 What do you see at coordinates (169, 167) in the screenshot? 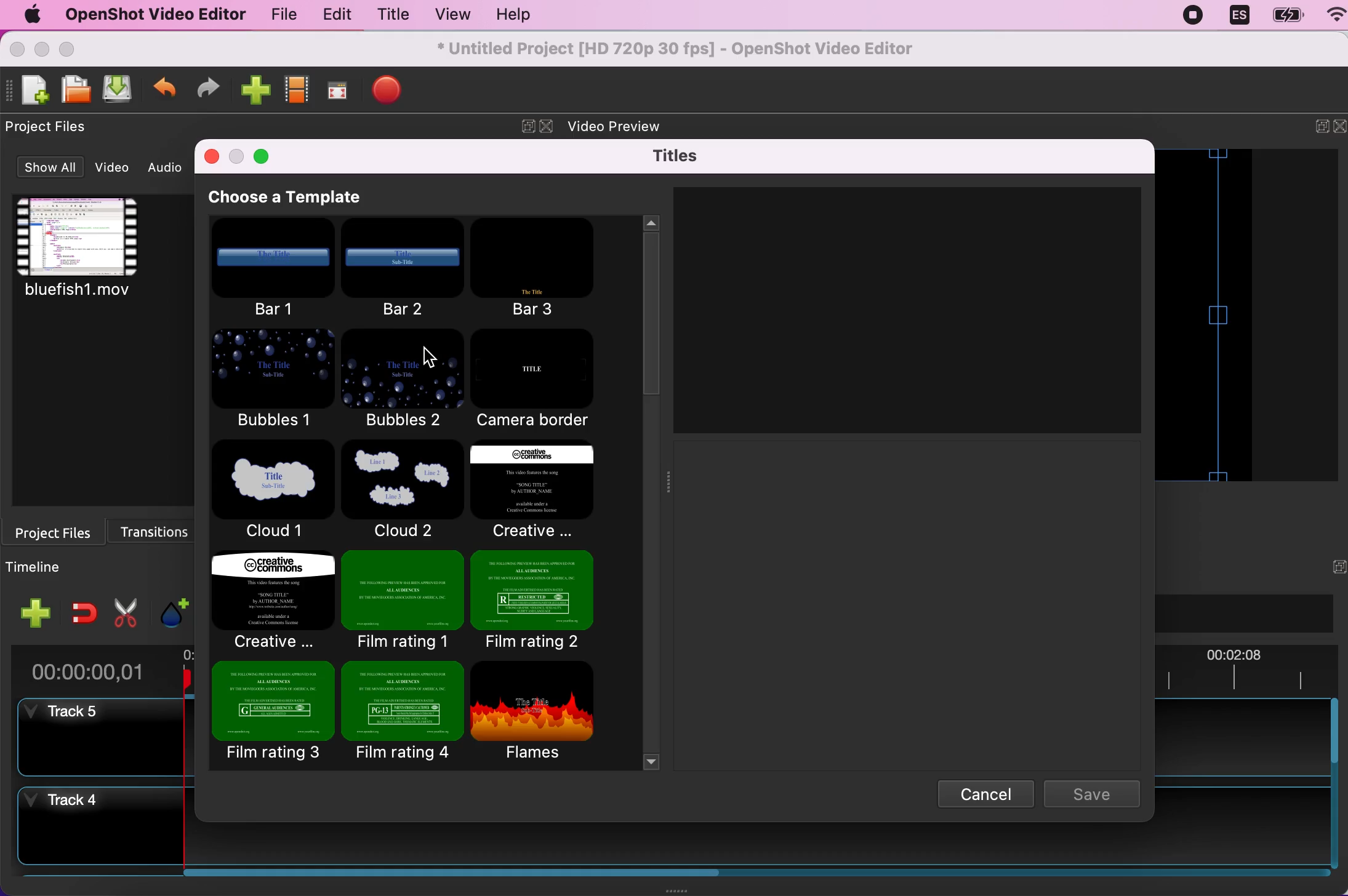
I see `audio` at bounding box center [169, 167].